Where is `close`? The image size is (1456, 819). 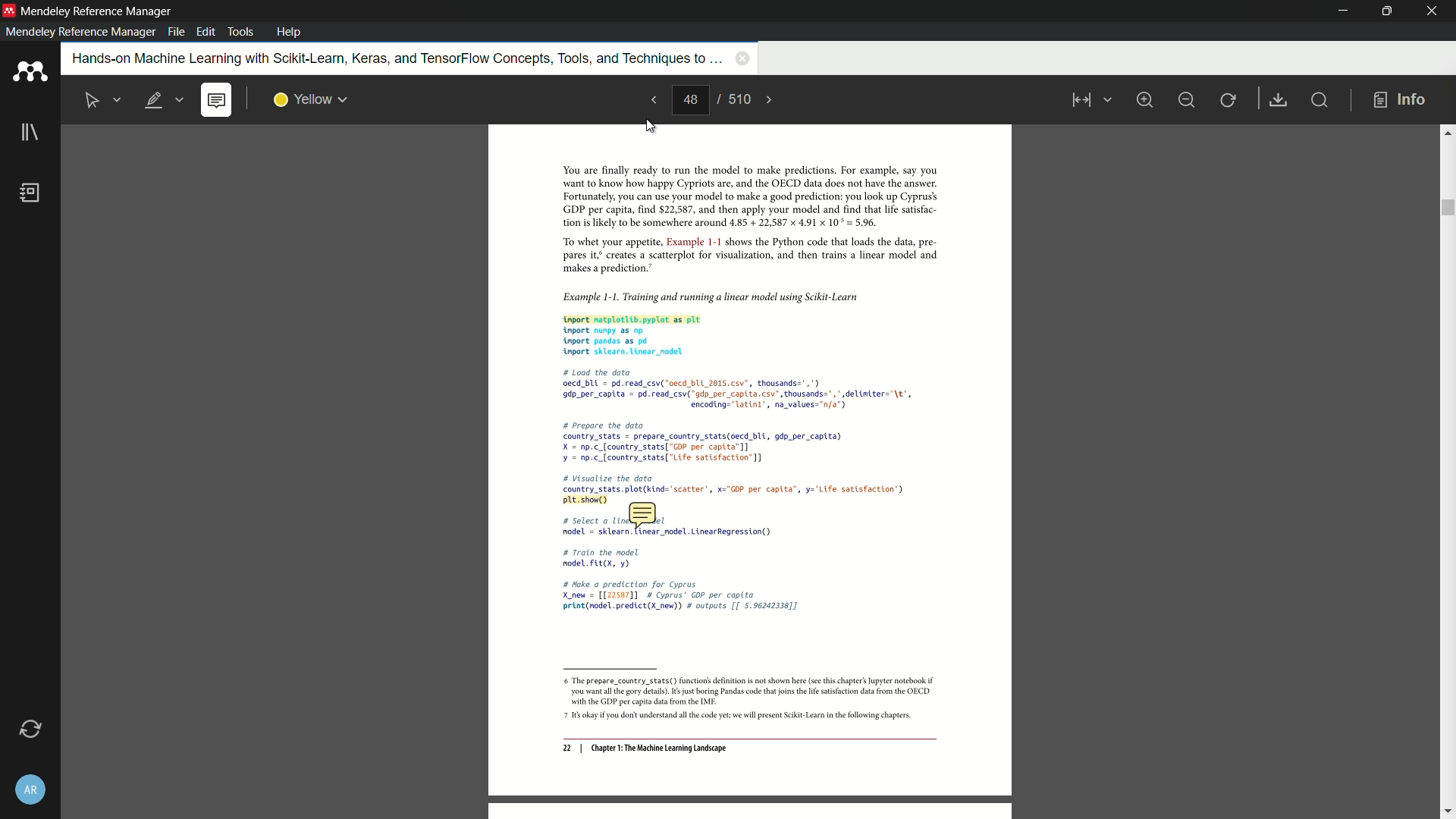 close is located at coordinates (1433, 11).